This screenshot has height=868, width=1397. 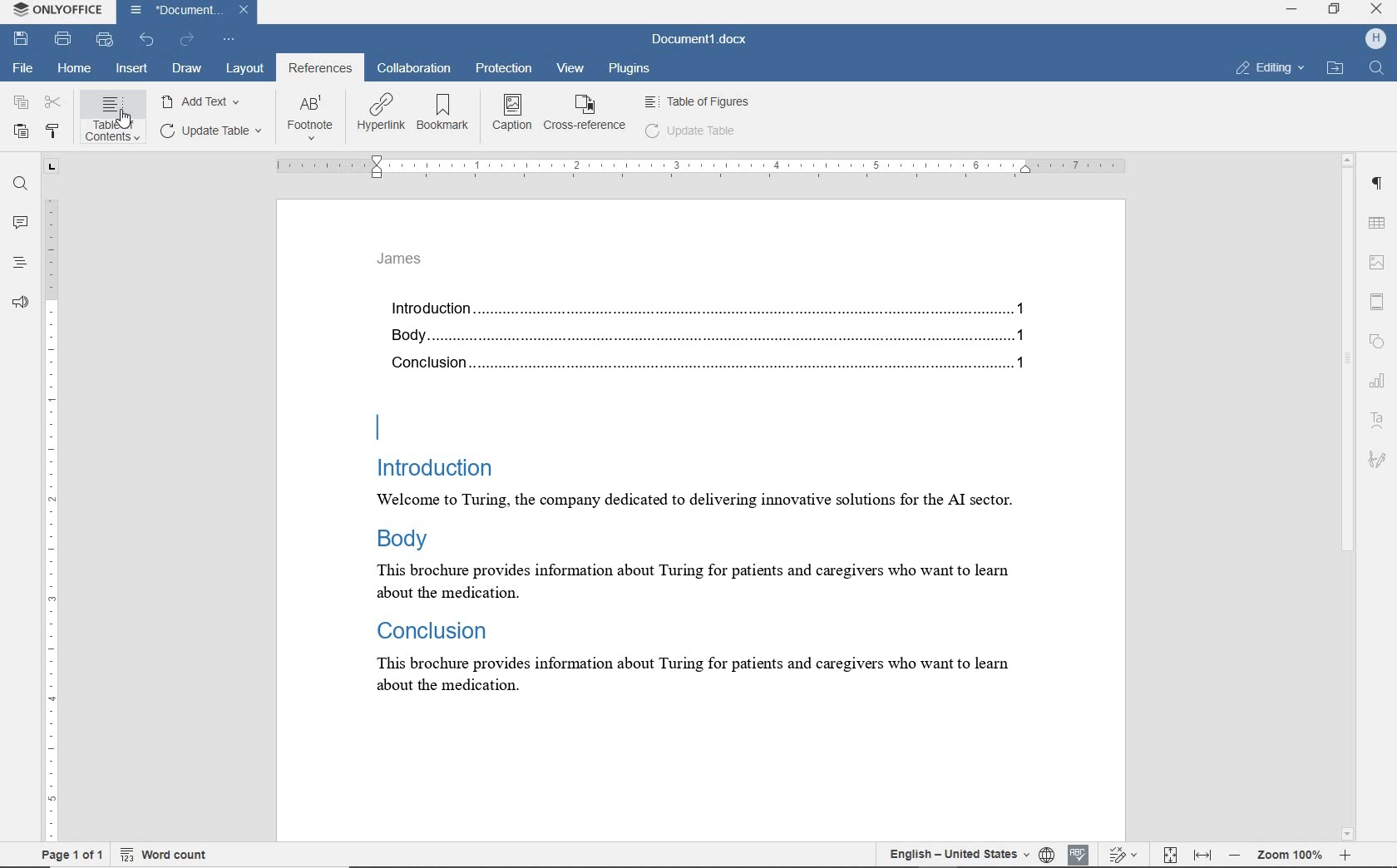 What do you see at coordinates (19, 222) in the screenshot?
I see `comments` at bounding box center [19, 222].